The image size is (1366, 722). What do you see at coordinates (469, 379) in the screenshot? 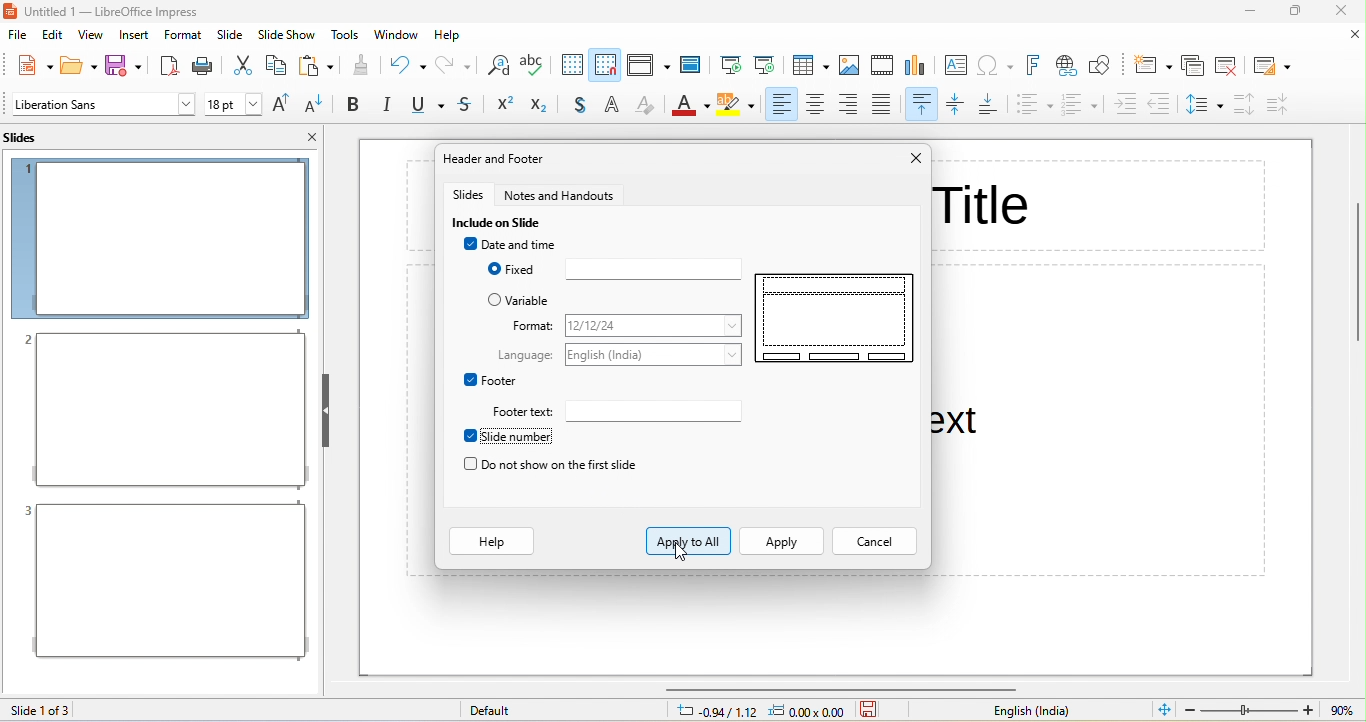
I see `Checkbox` at bounding box center [469, 379].